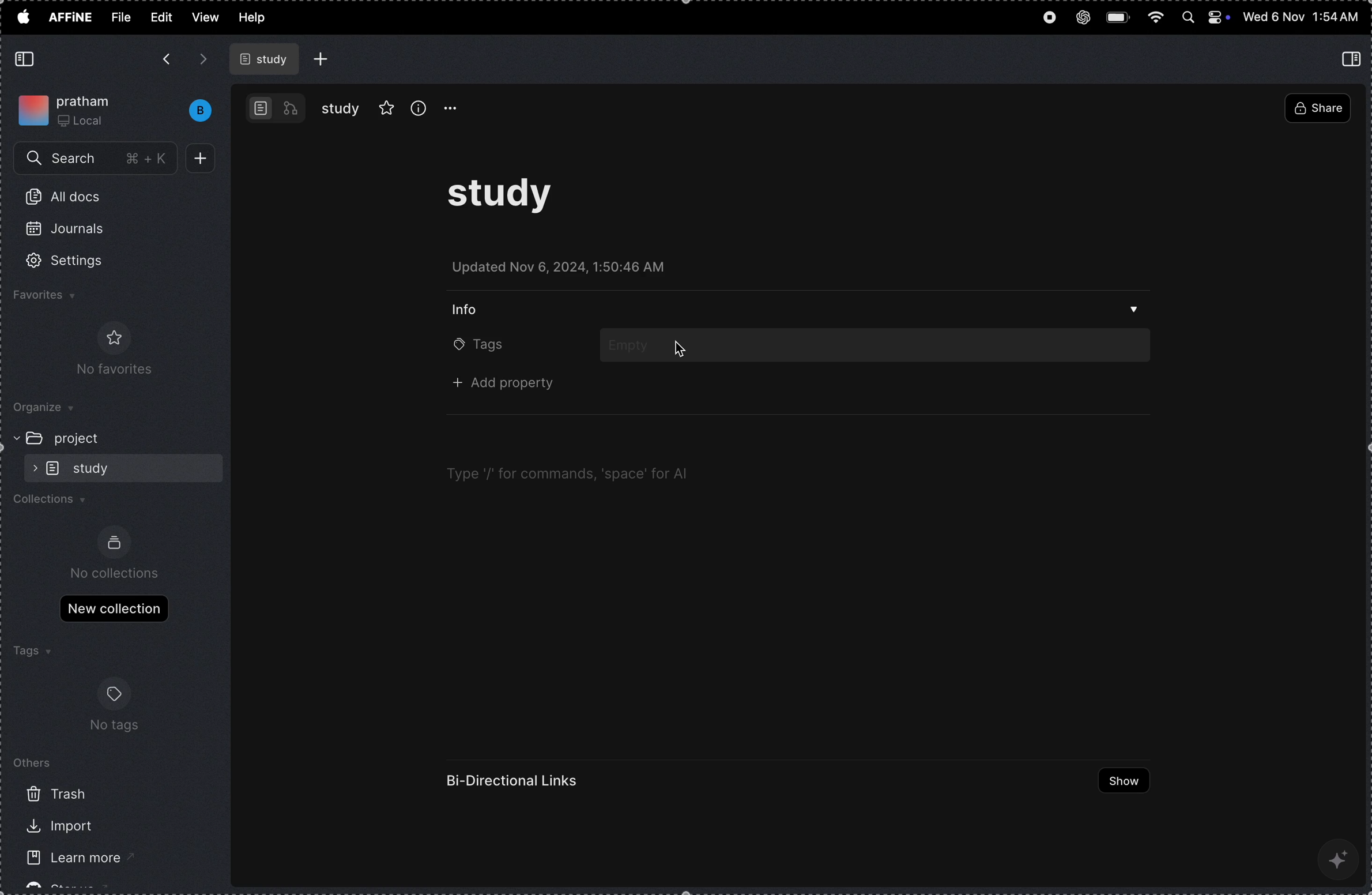  What do you see at coordinates (55, 826) in the screenshot?
I see `import` at bounding box center [55, 826].